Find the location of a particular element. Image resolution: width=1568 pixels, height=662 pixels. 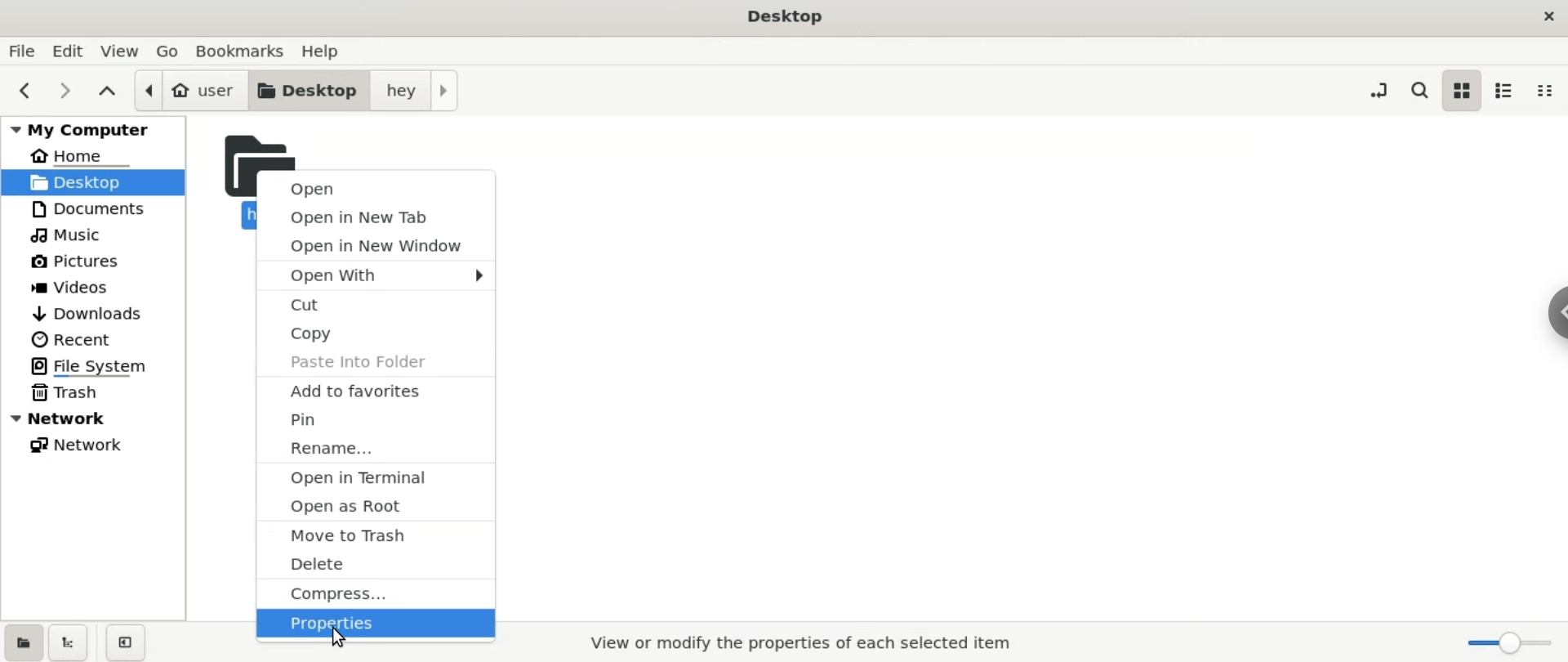

network is located at coordinates (95, 442).